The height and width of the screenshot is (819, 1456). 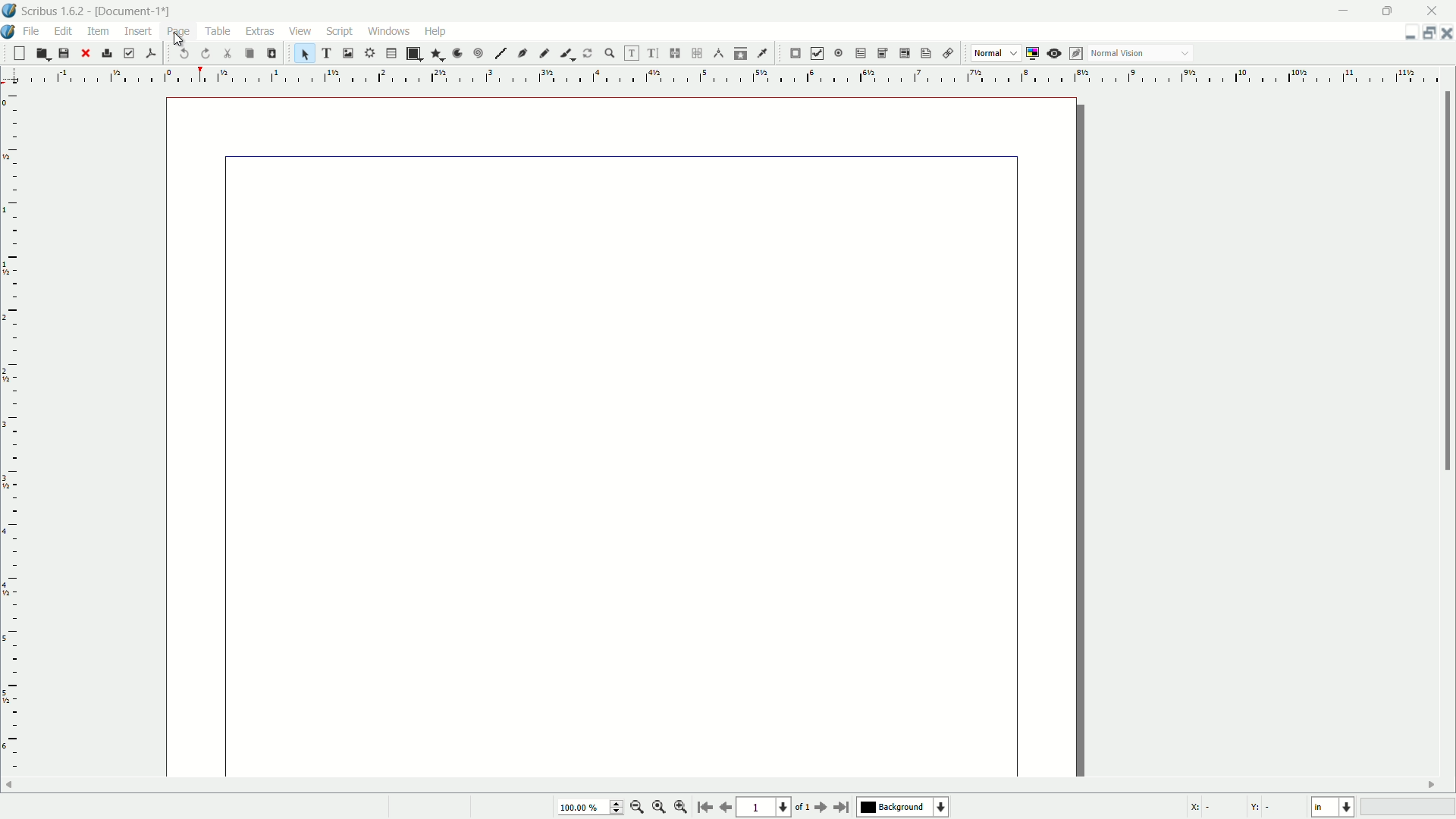 What do you see at coordinates (795, 54) in the screenshot?
I see `pdf push button` at bounding box center [795, 54].